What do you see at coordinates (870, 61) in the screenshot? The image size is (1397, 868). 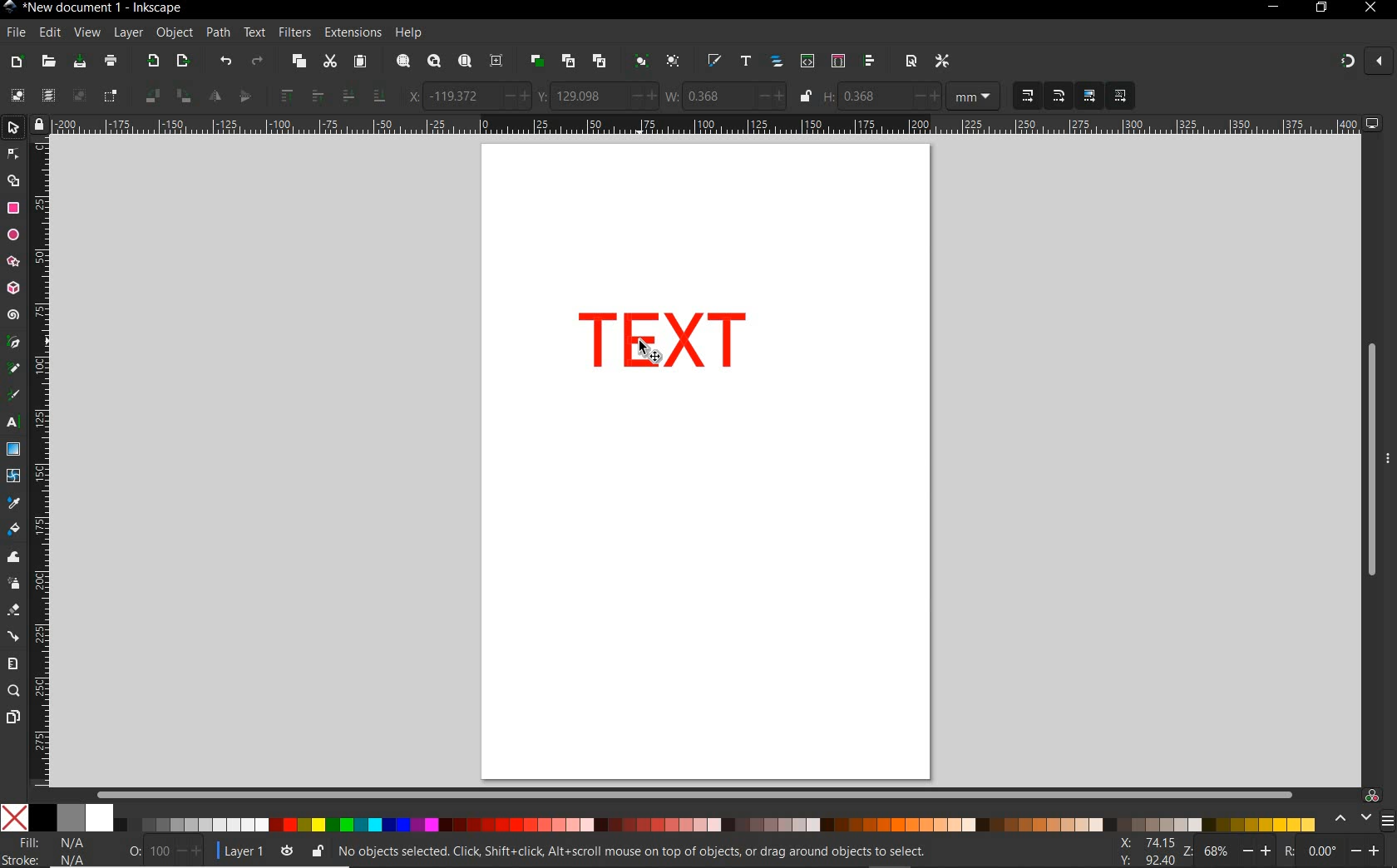 I see `OPEN ALIGN AND DISTRIBUTE` at bounding box center [870, 61].